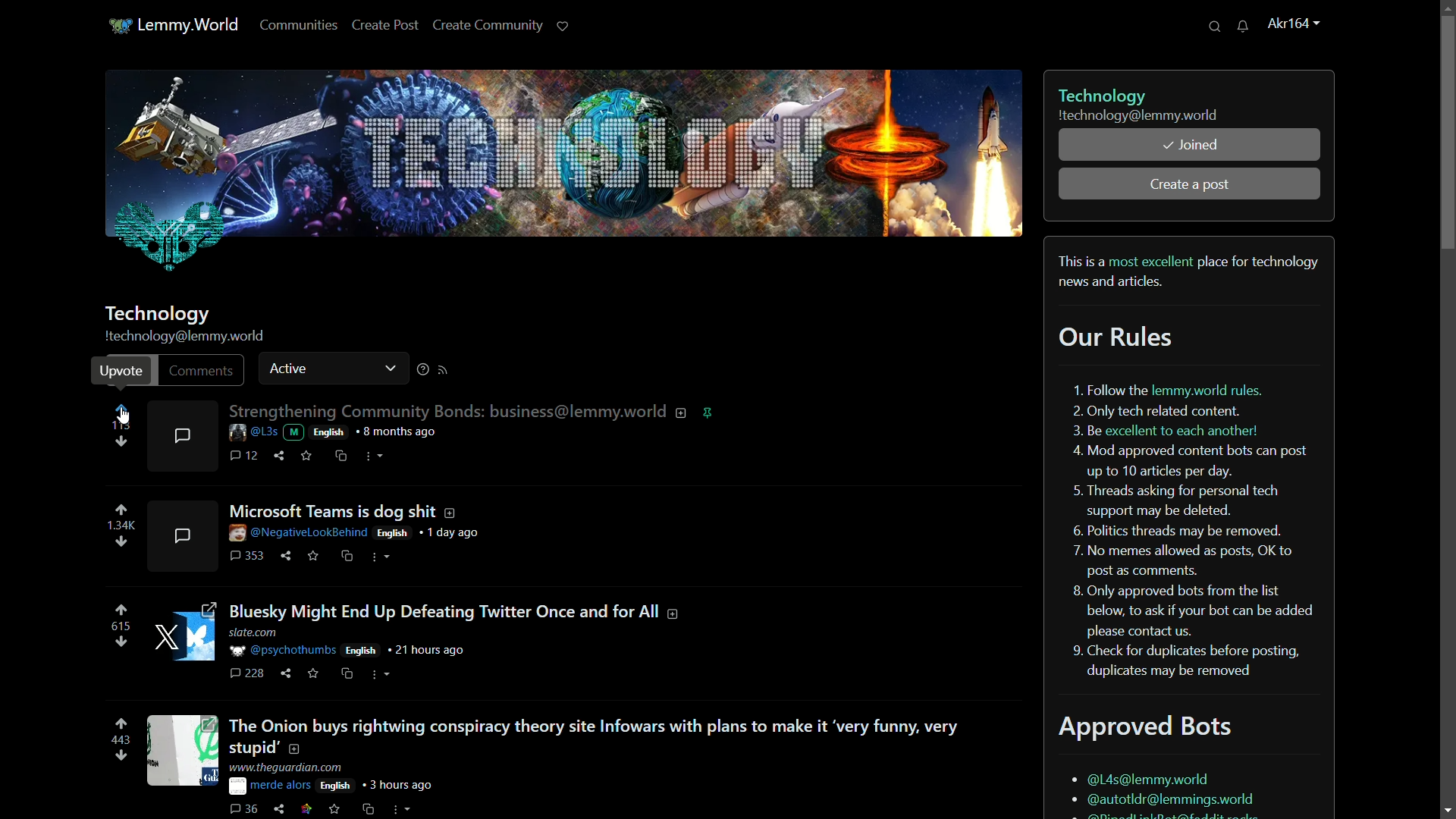 This screenshot has width=1456, height=819. I want to click on bio, so click(1191, 272).